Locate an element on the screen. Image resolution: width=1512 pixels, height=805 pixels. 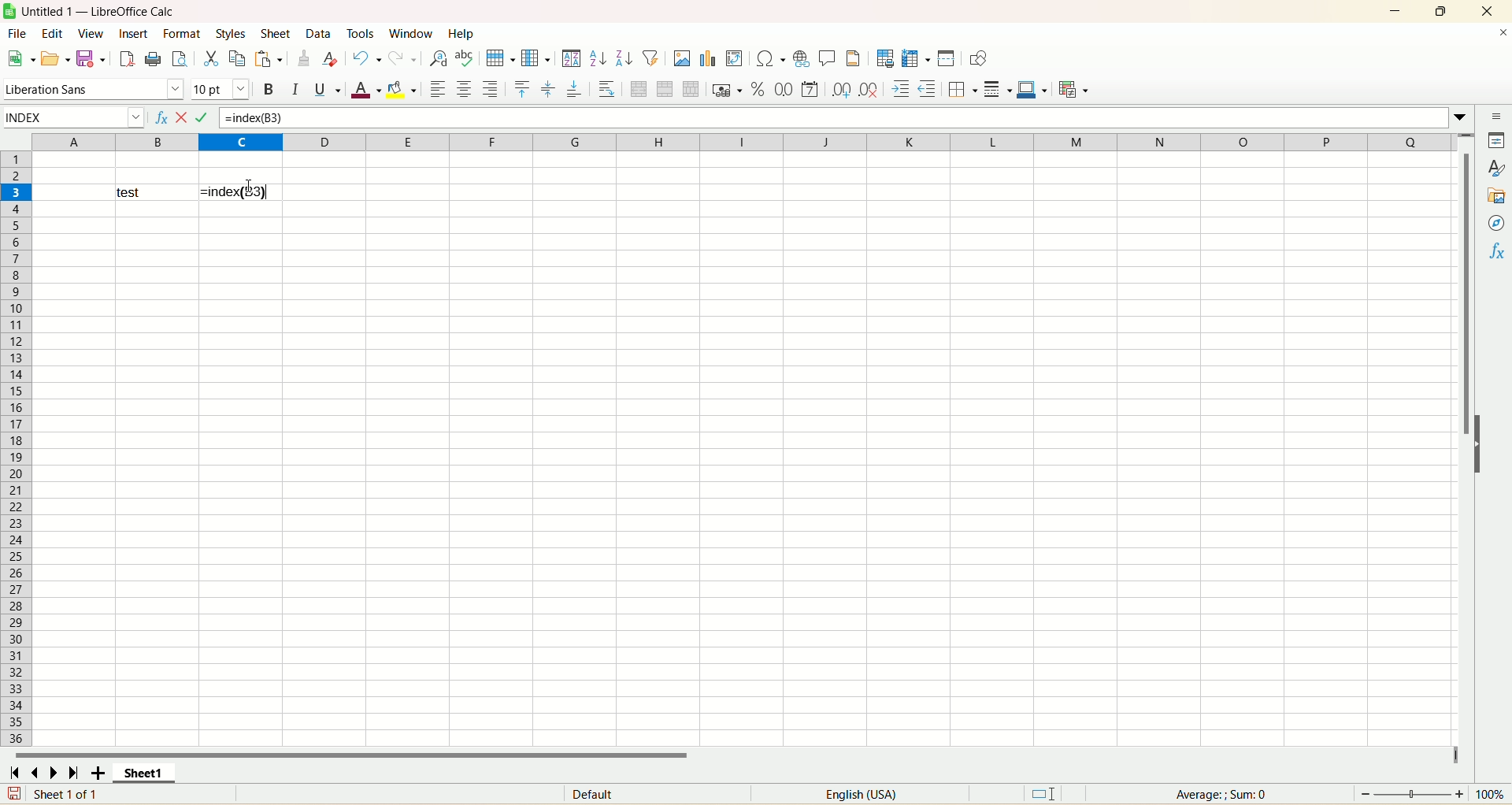
Name box is located at coordinates (74, 118).